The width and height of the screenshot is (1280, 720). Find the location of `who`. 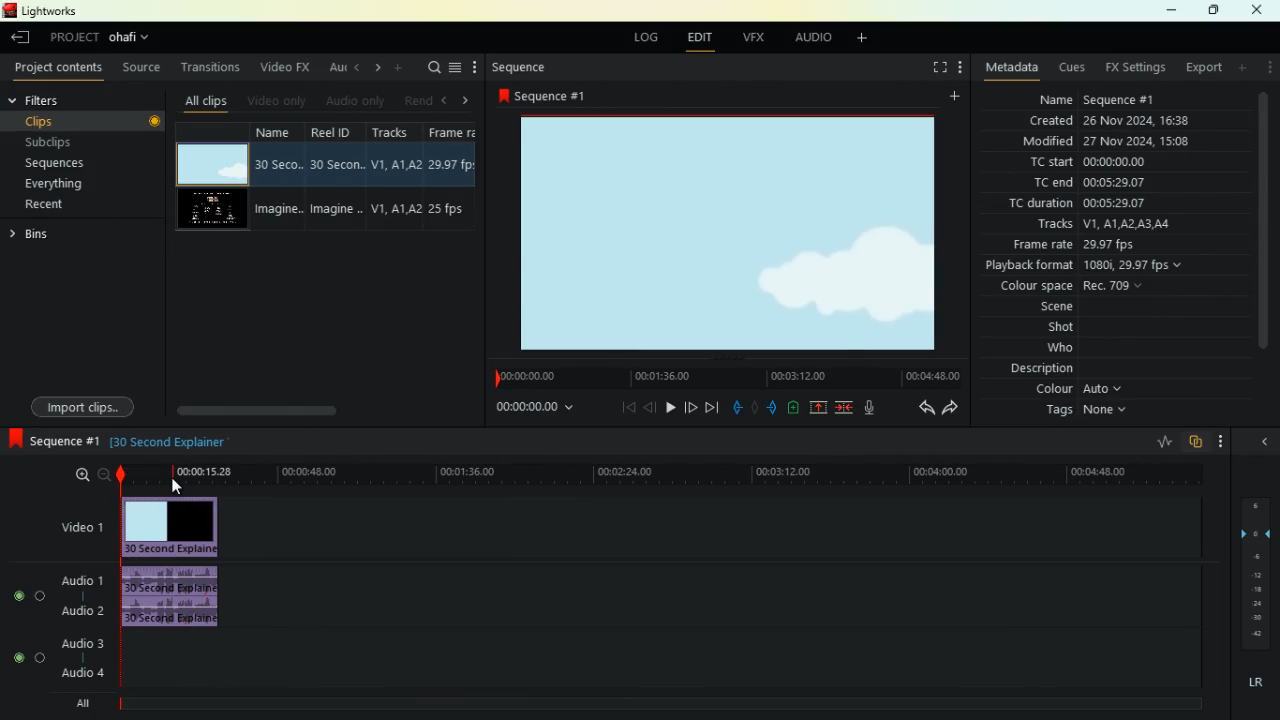

who is located at coordinates (1047, 349).